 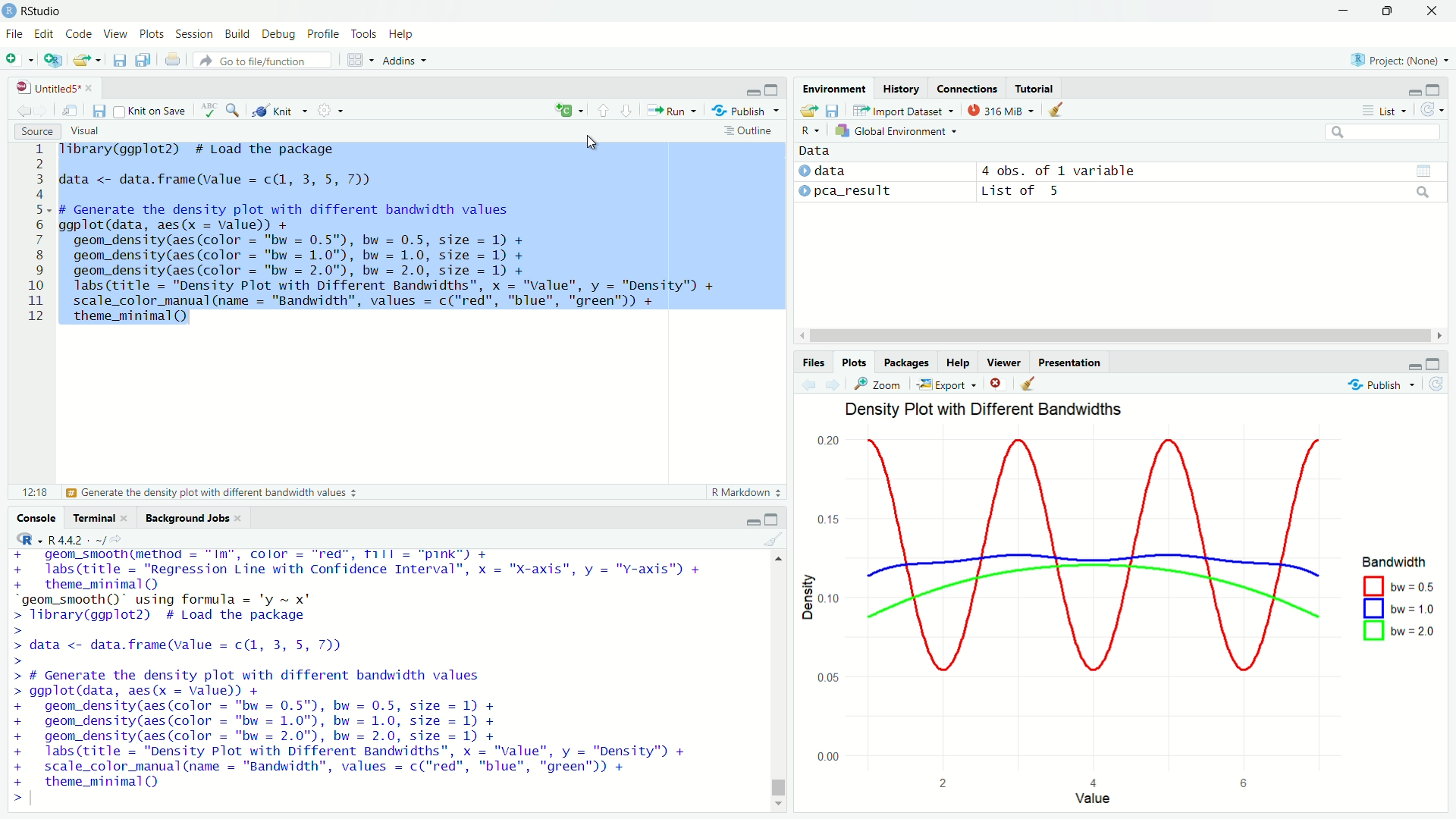 I want to click on pca_result, so click(x=854, y=192).